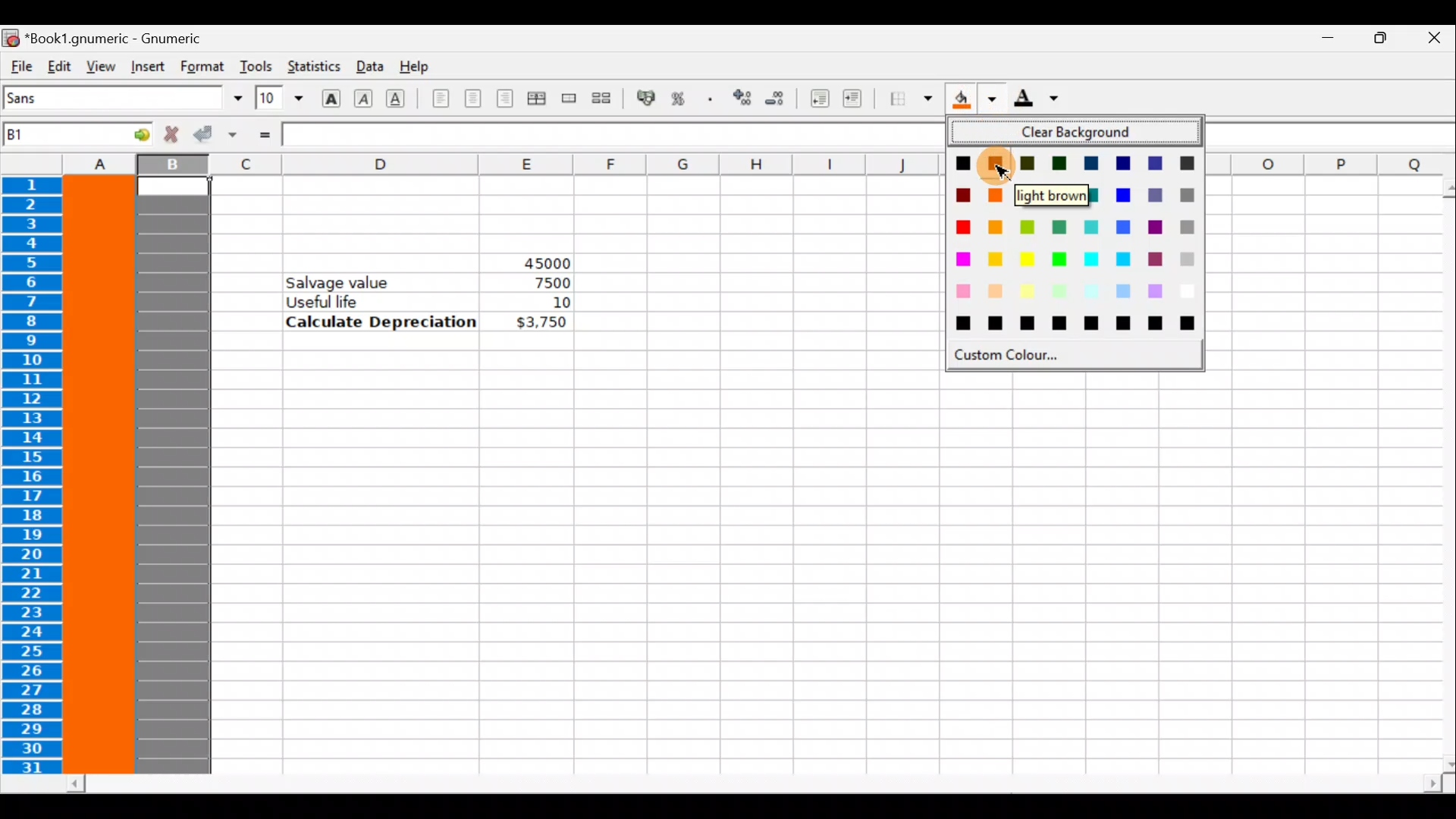 Image resolution: width=1456 pixels, height=819 pixels. Describe the element at coordinates (504, 99) in the screenshot. I see `Align right` at that location.